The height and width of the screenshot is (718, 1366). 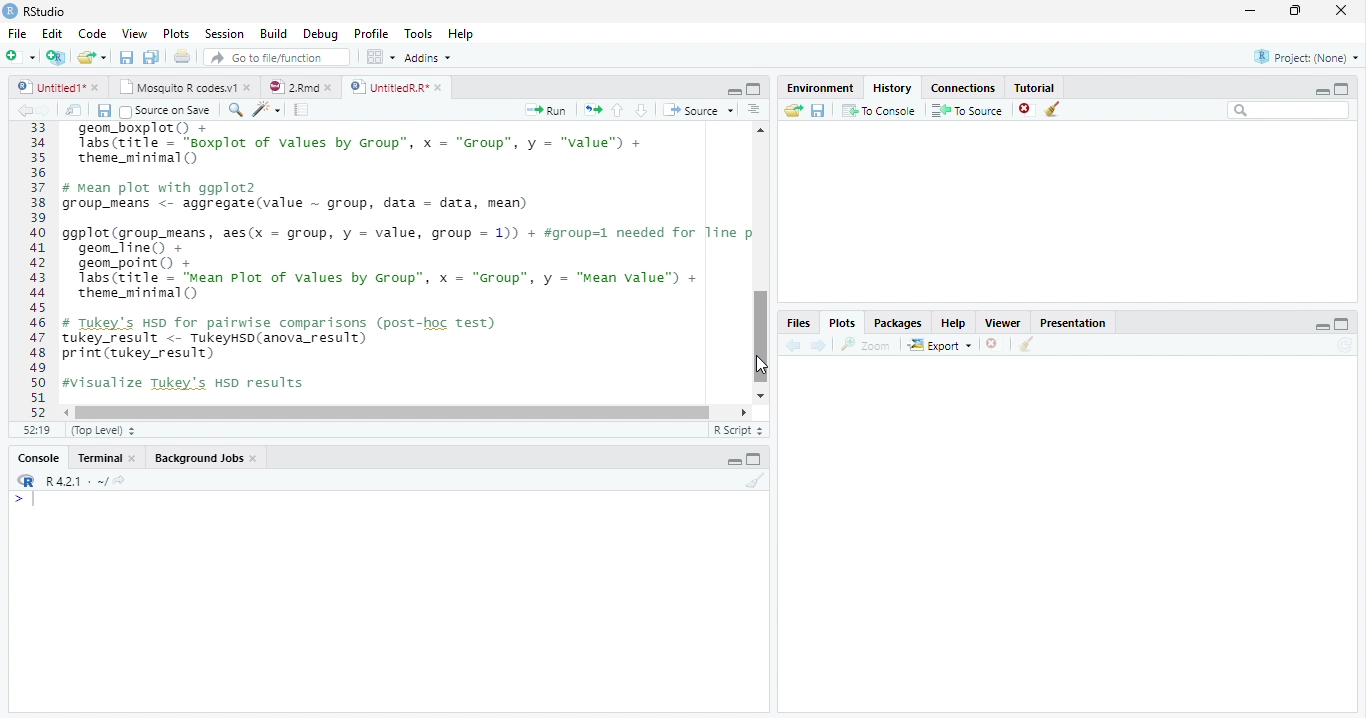 I want to click on Run, so click(x=546, y=110).